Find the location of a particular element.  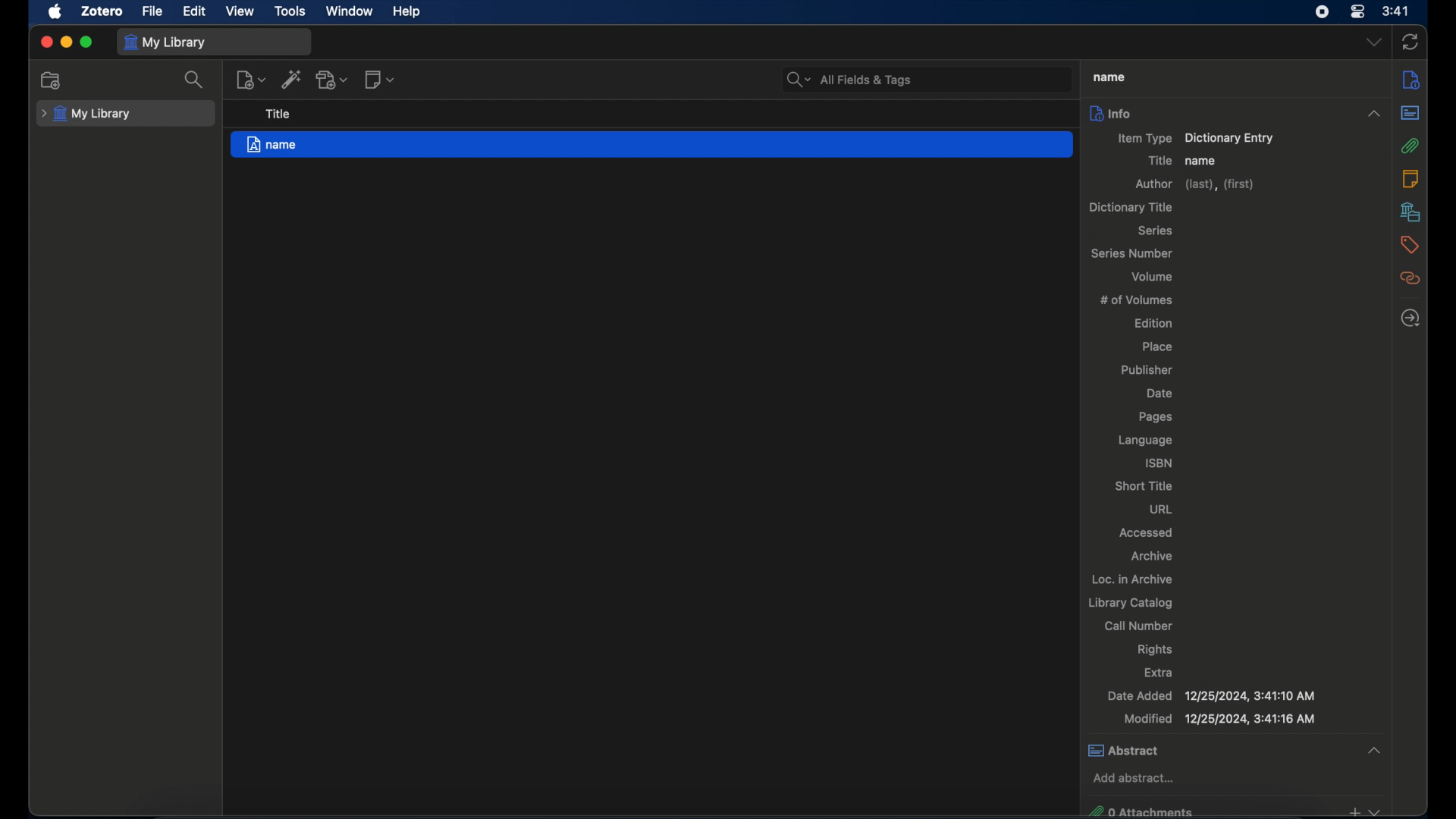

call number is located at coordinates (1138, 626).